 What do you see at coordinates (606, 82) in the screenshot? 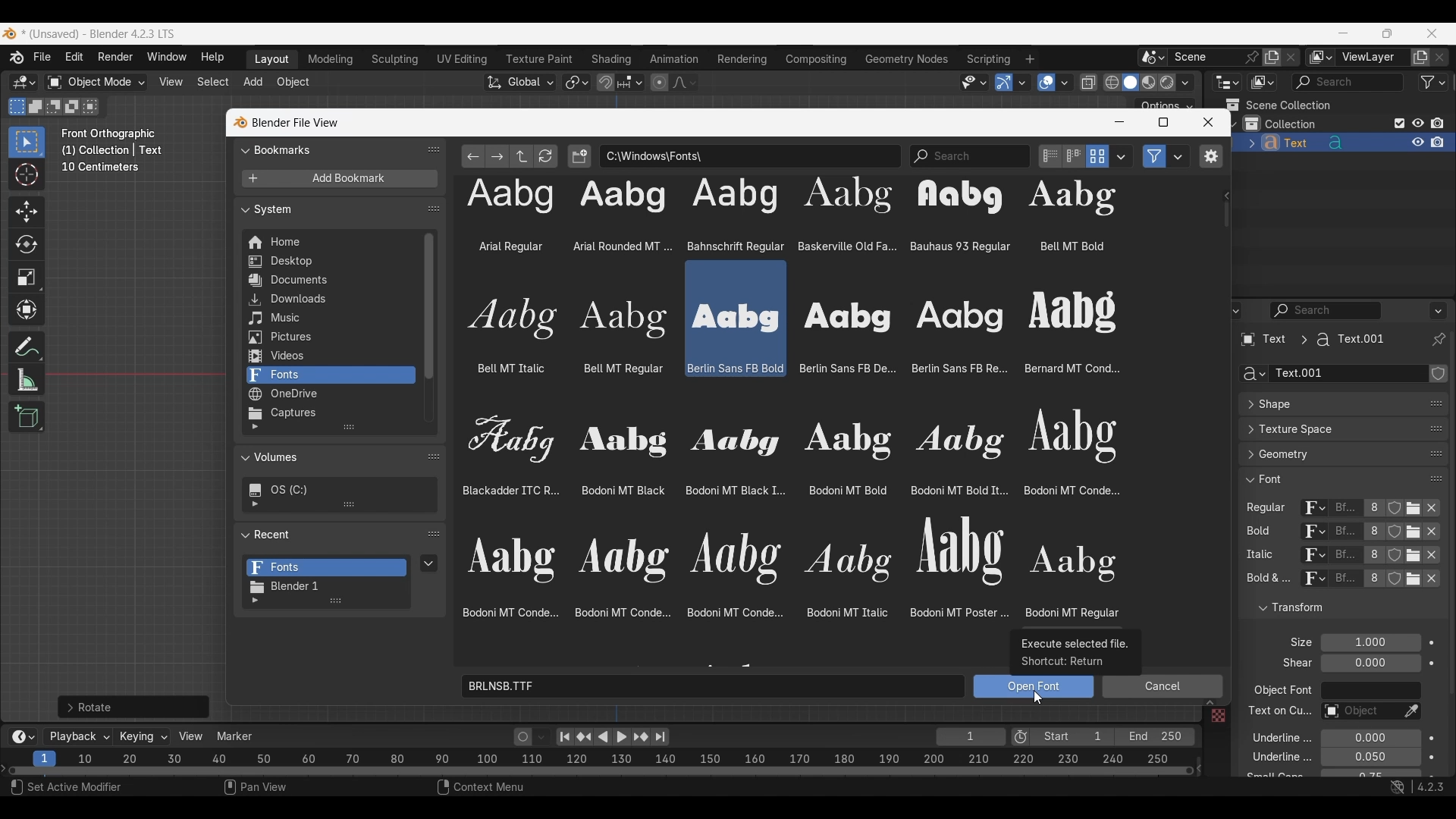
I see `Snap during transform` at bounding box center [606, 82].